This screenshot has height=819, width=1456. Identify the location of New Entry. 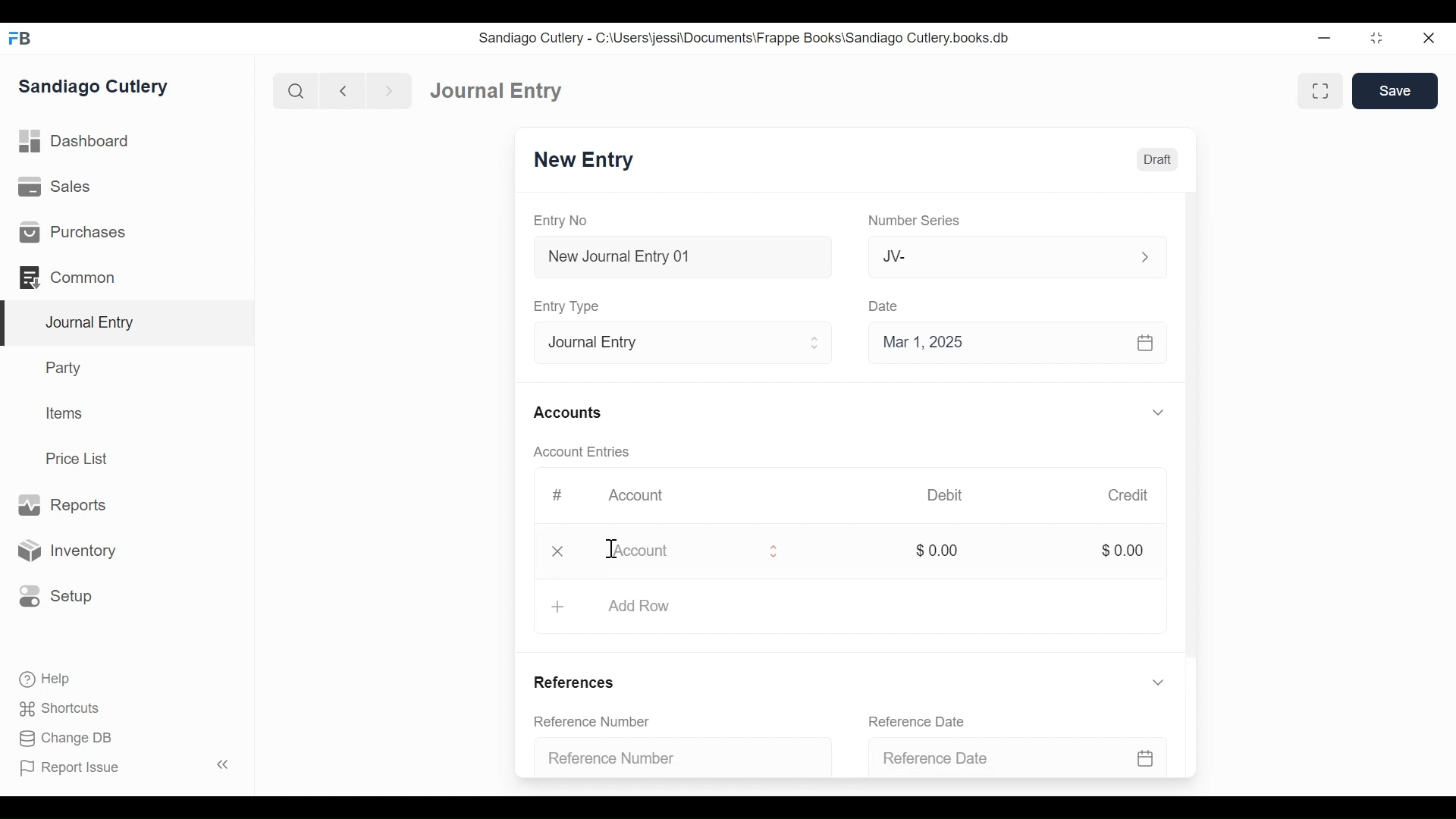
(585, 161).